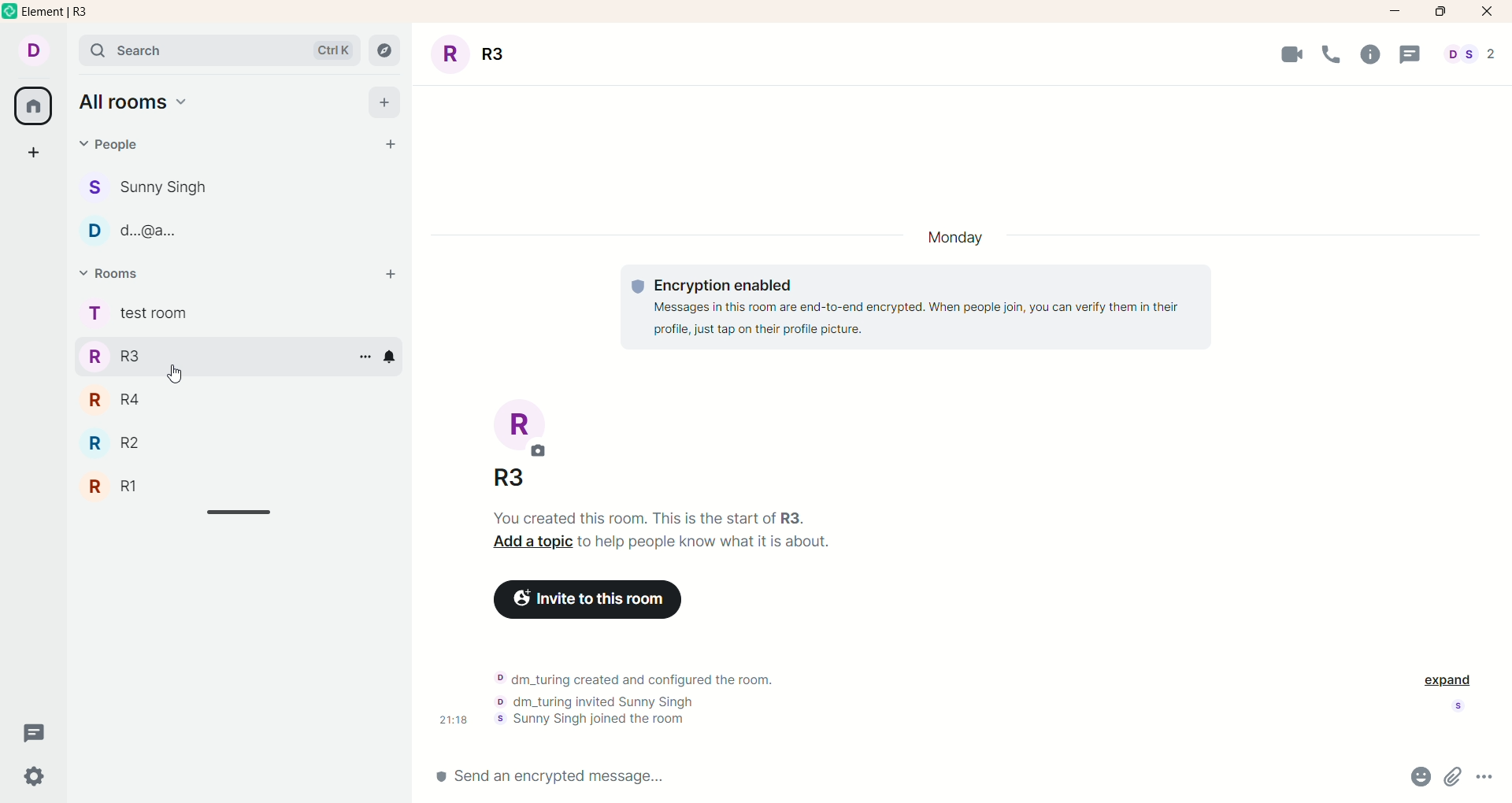 The image size is (1512, 803). Describe the element at coordinates (597, 598) in the screenshot. I see `invite to this room` at that location.